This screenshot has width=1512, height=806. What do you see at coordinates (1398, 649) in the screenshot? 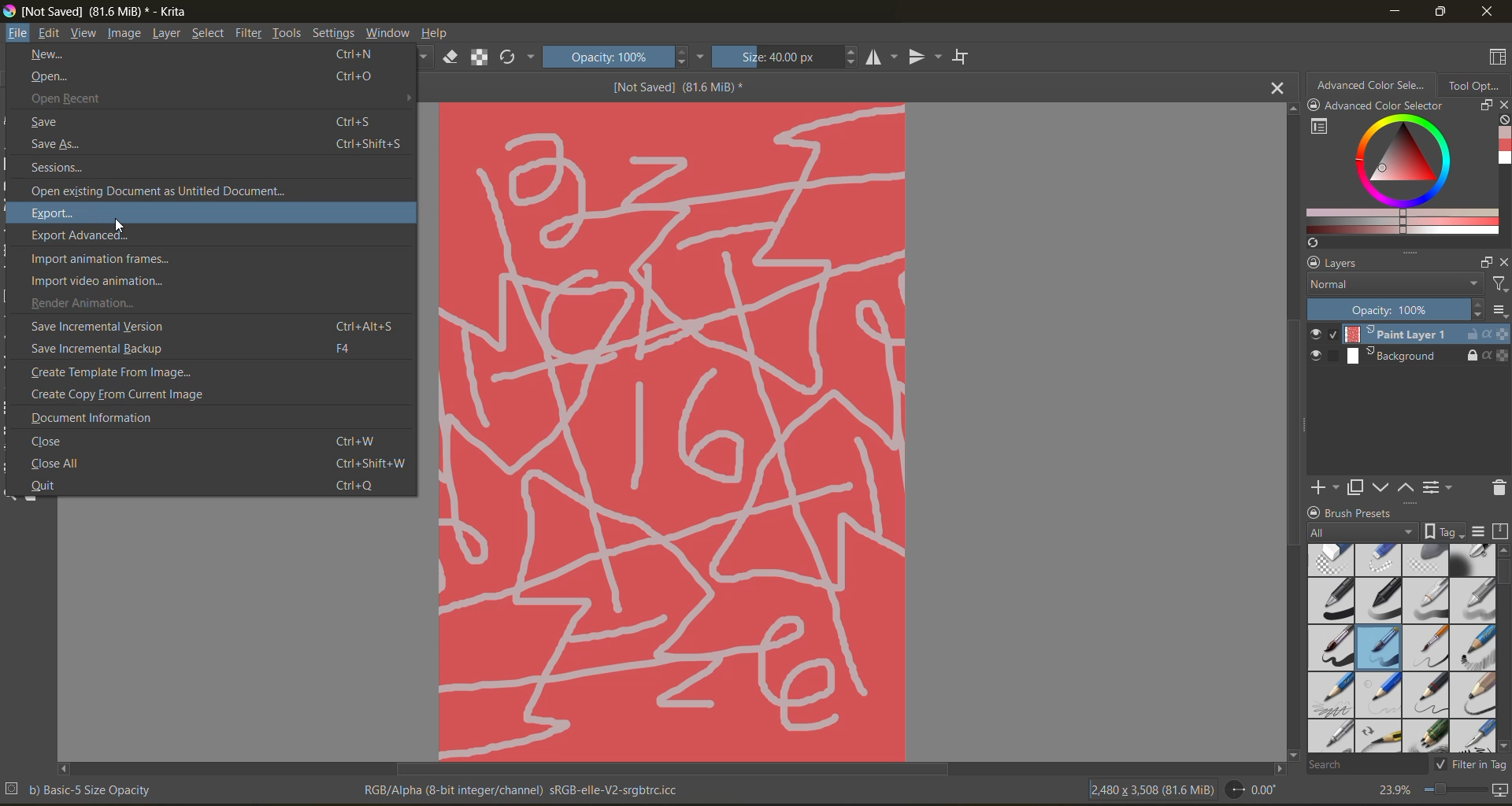
I see `brush presets` at bounding box center [1398, 649].